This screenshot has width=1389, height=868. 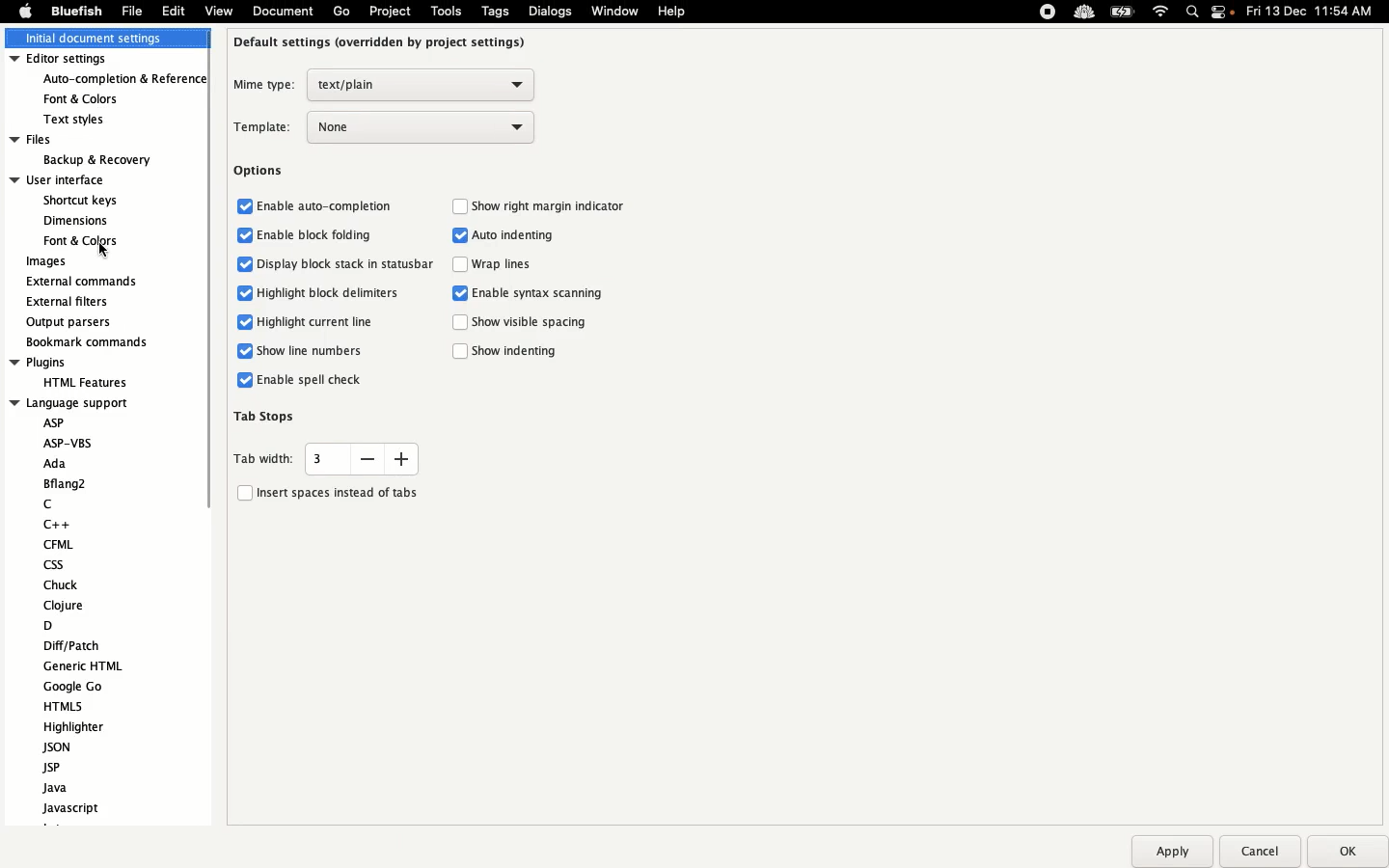 What do you see at coordinates (1316, 11) in the screenshot?
I see `Date time` at bounding box center [1316, 11].